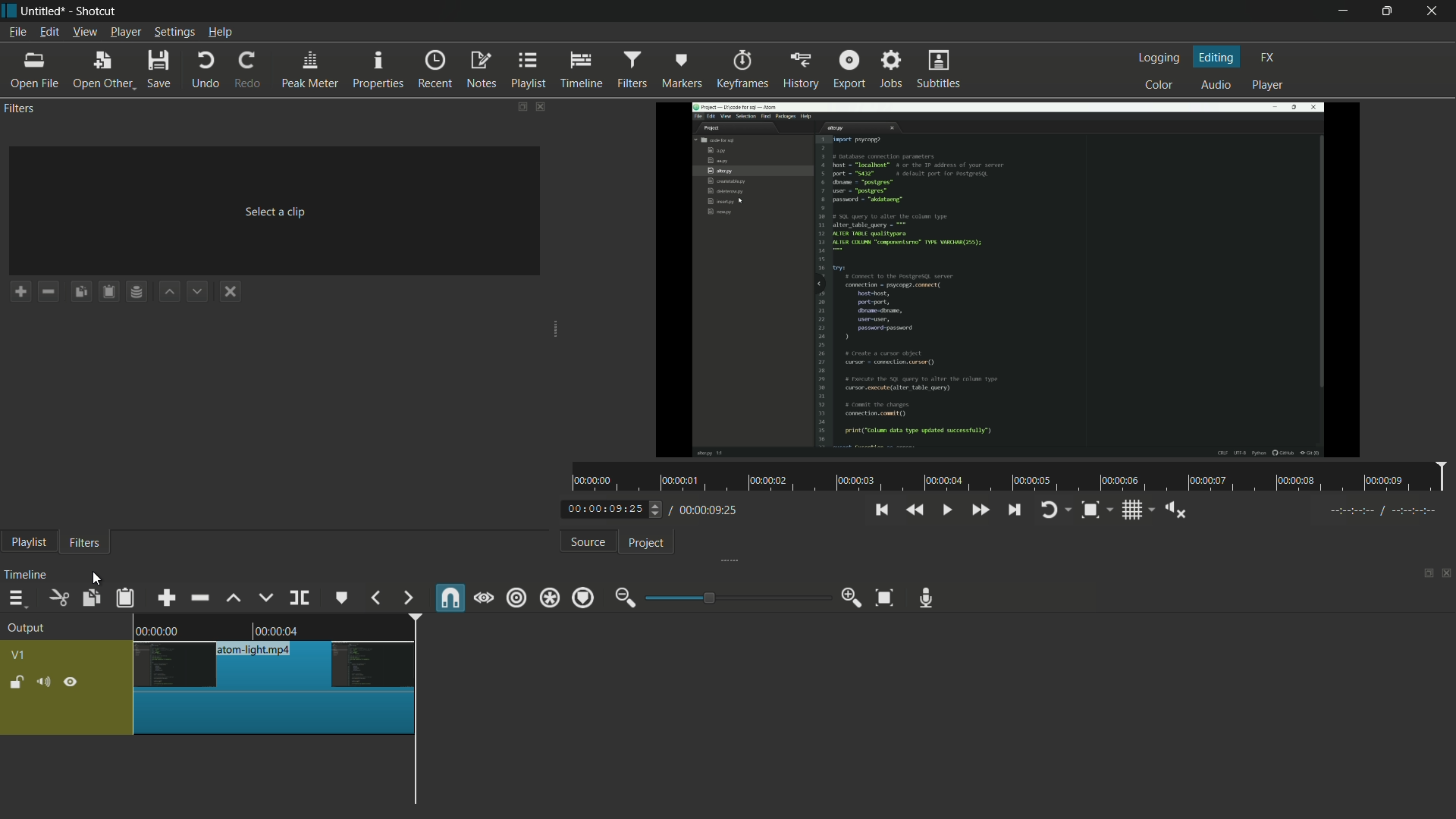 The image size is (1456, 819). What do you see at coordinates (17, 655) in the screenshot?
I see `v1` at bounding box center [17, 655].